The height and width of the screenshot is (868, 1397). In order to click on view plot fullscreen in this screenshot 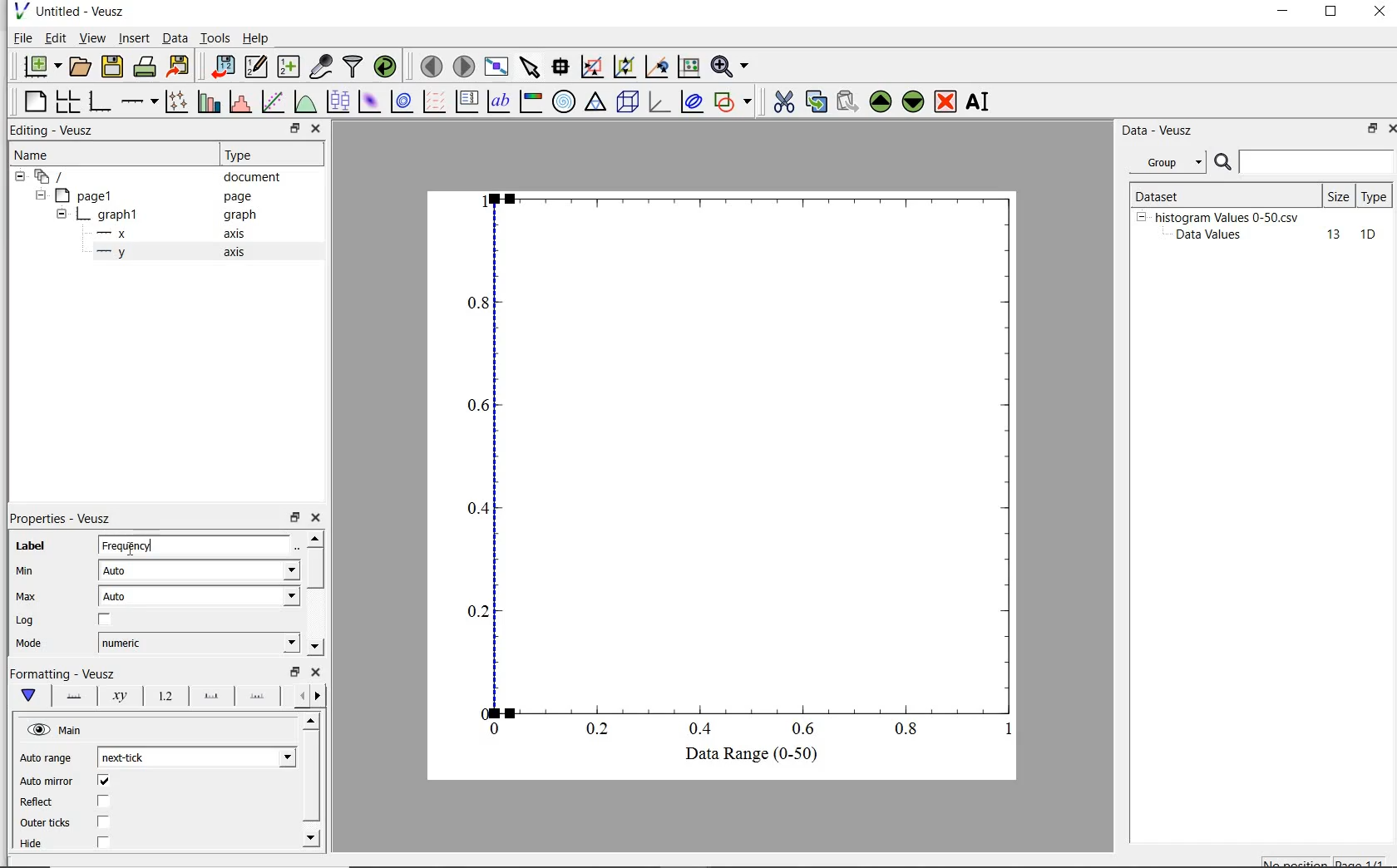, I will do `click(496, 65)`.